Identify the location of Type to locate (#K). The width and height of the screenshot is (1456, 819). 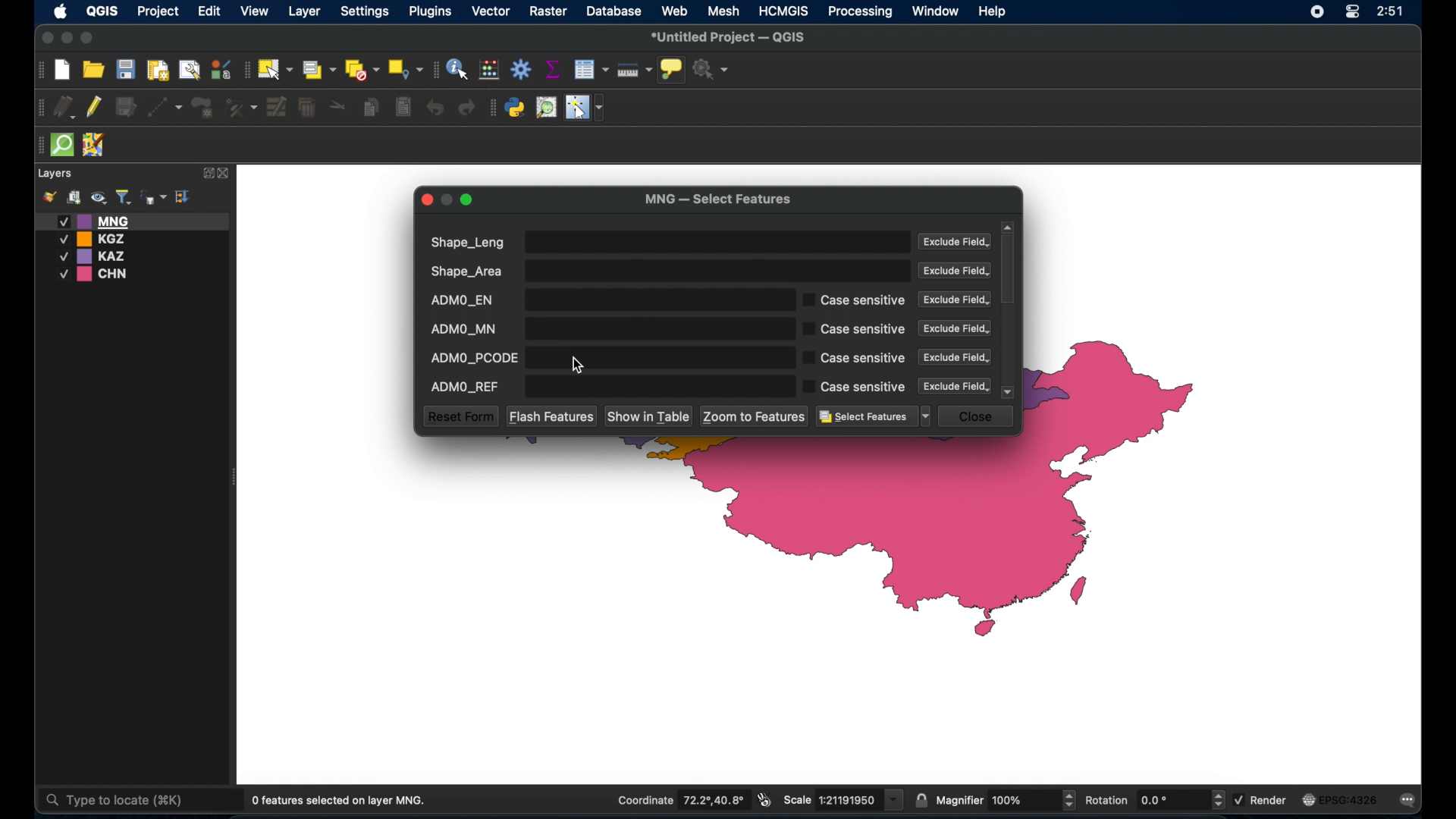
(127, 802).